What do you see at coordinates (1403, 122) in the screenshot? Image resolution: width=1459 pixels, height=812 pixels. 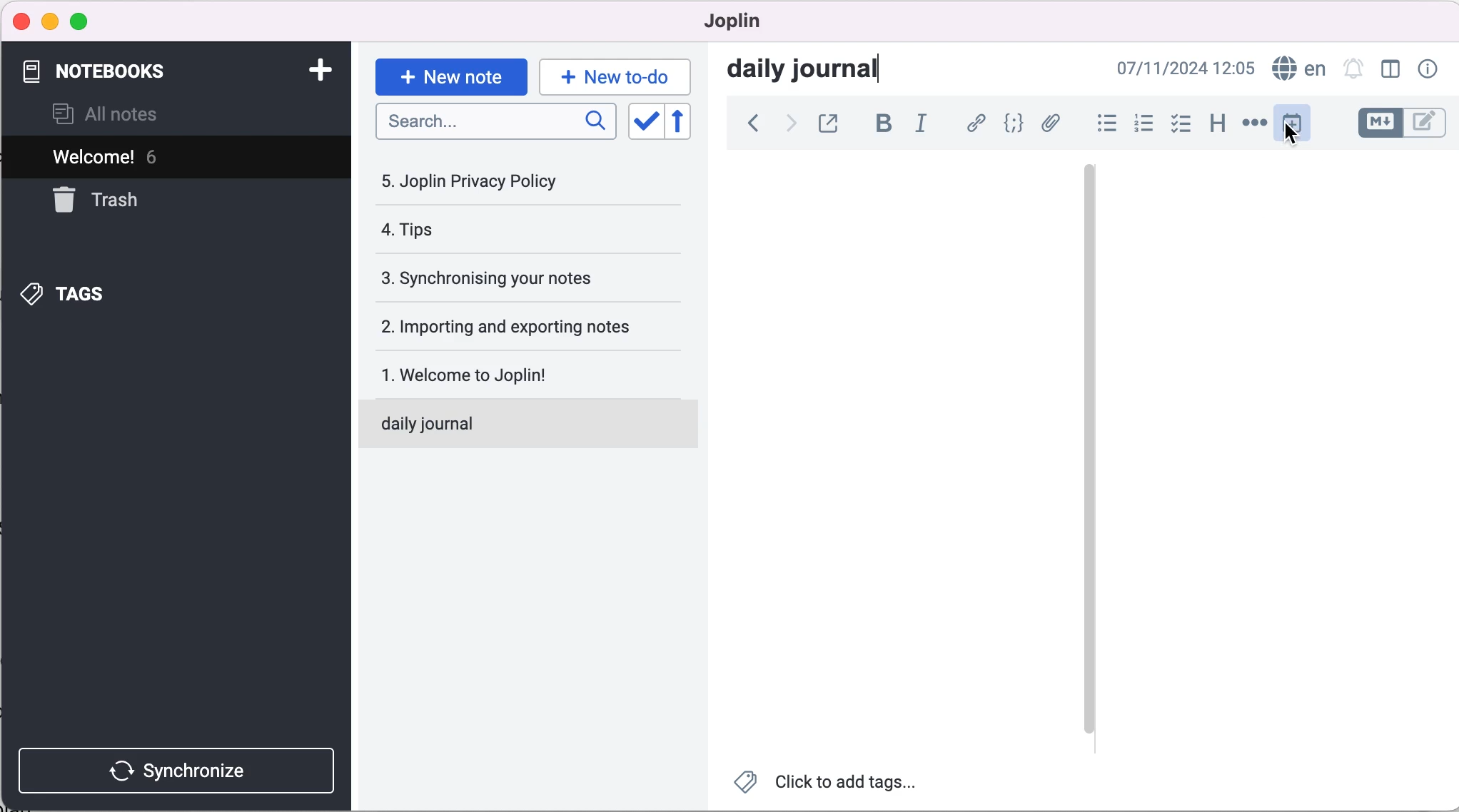 I see `toggle editor` at bounding box center [1403, 122].